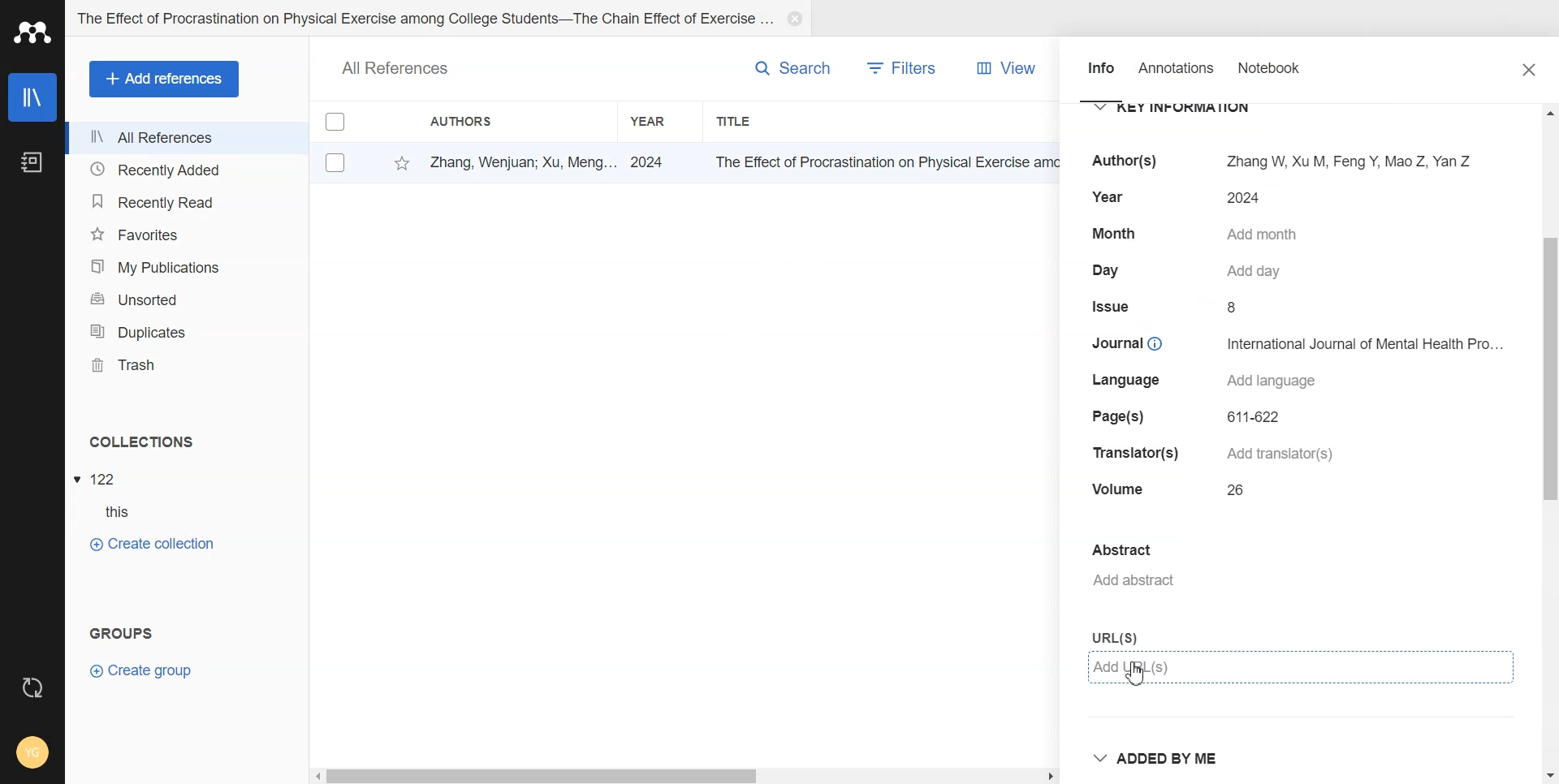 This screenshot has width=1559, height=784. Describe the element at coordinates (396, 67) in the screenshot. I see `Text` at that location.